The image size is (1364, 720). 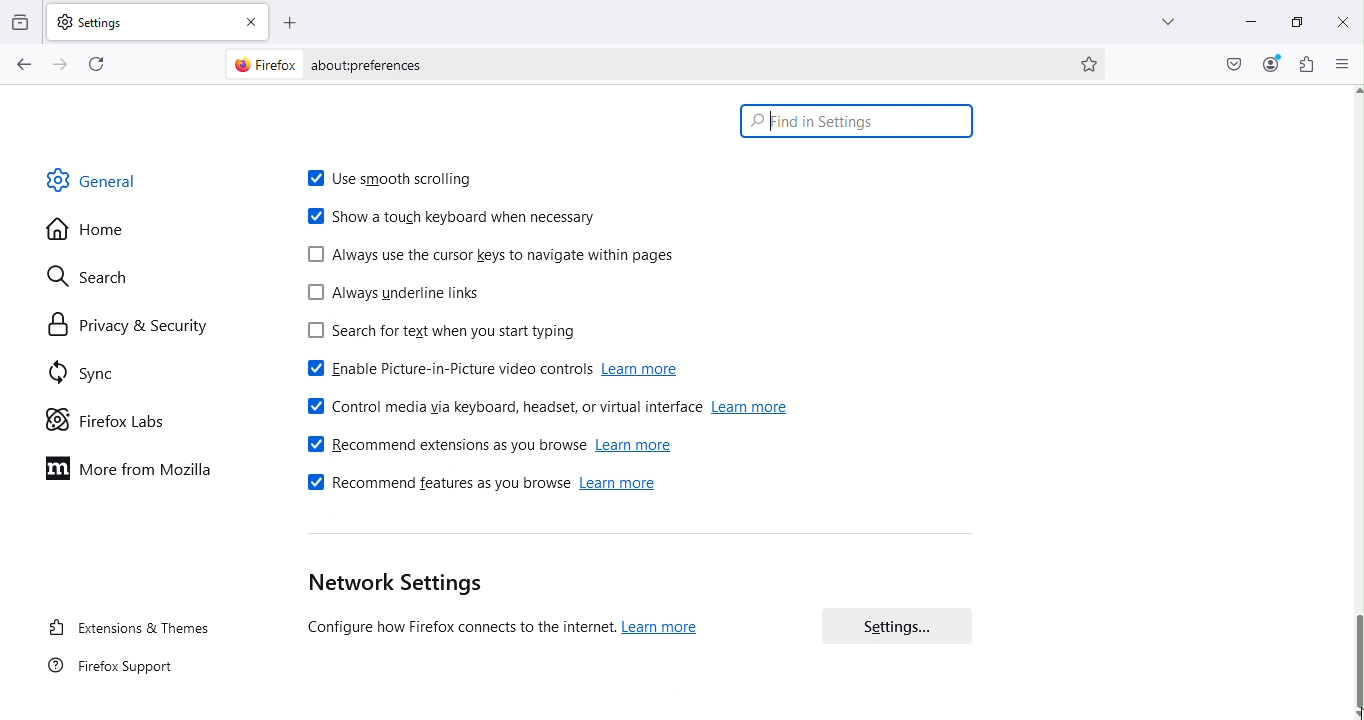 What do you see at coordinates (1162, 21) in the screenshot?
I see `List all tabs` at bounding box center [1162, 21].